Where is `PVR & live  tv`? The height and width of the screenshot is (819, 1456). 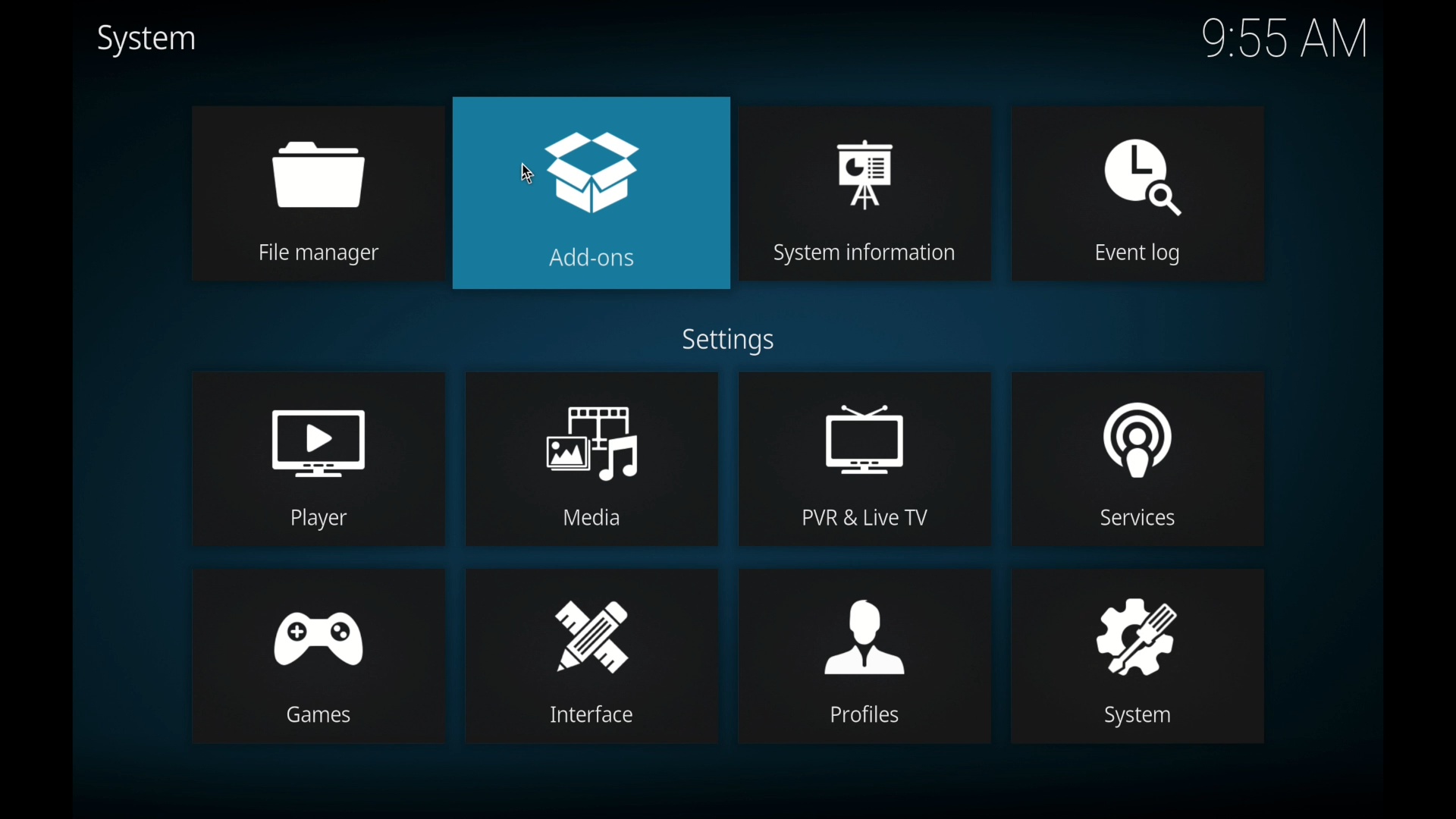 PVR & live  tv is located at coordinates (864, 460).